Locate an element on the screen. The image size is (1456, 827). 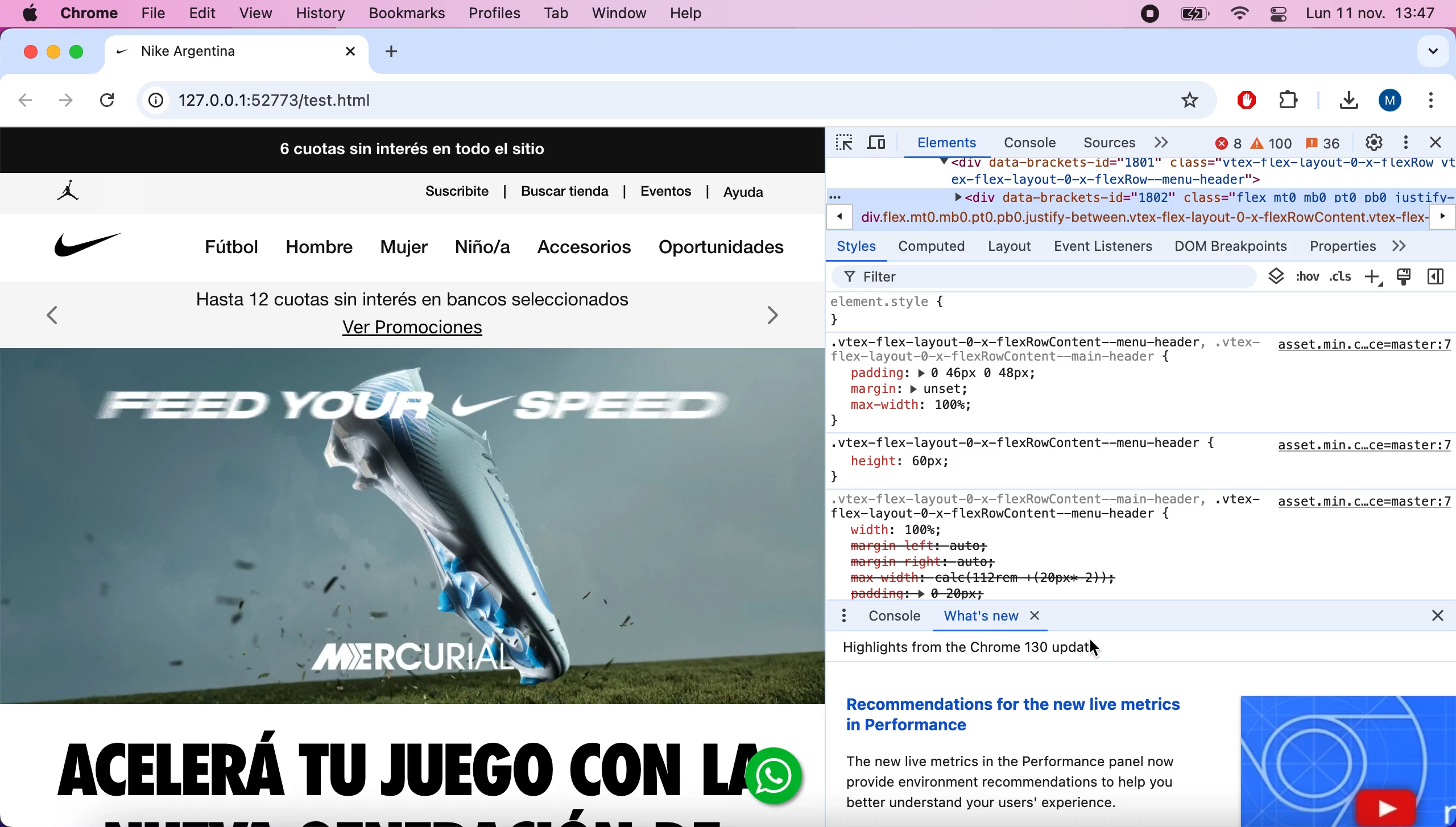
event listeners is located at coordinates (1108, 246).